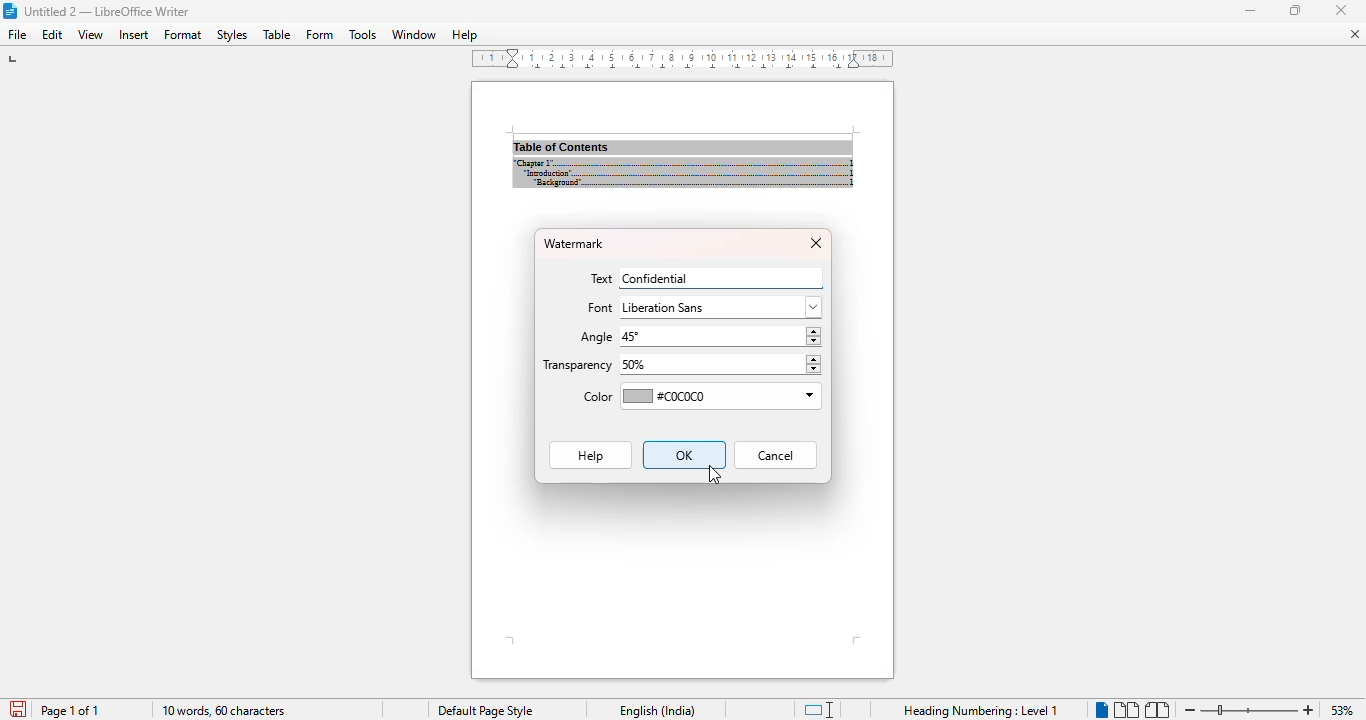  What do you see at coordinates (70, 711) in the screenshot?
I see `page 1 of 1` at bounding box center [70, 711].